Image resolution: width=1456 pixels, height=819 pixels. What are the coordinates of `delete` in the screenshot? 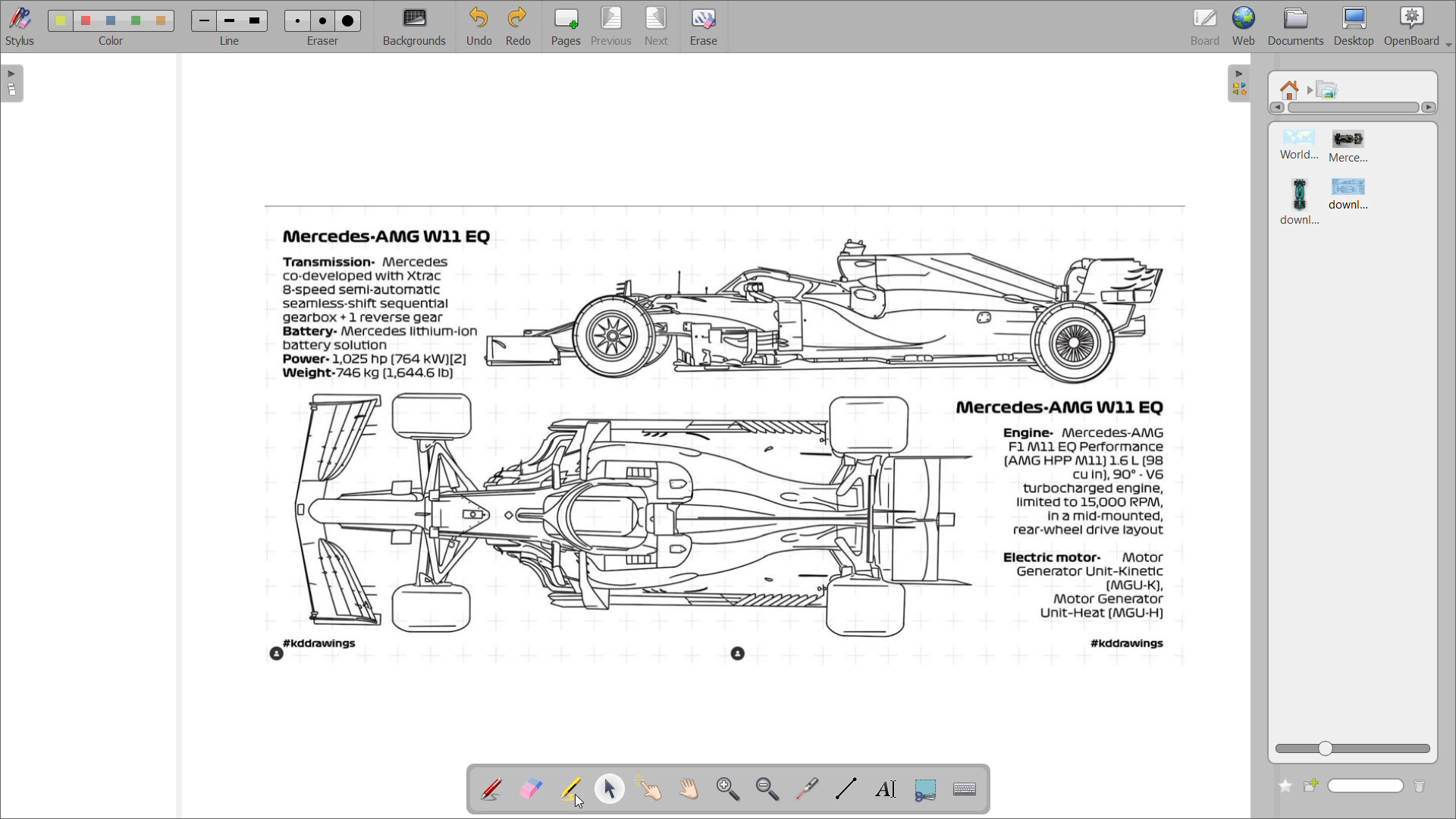 It's located at (1420, 787).